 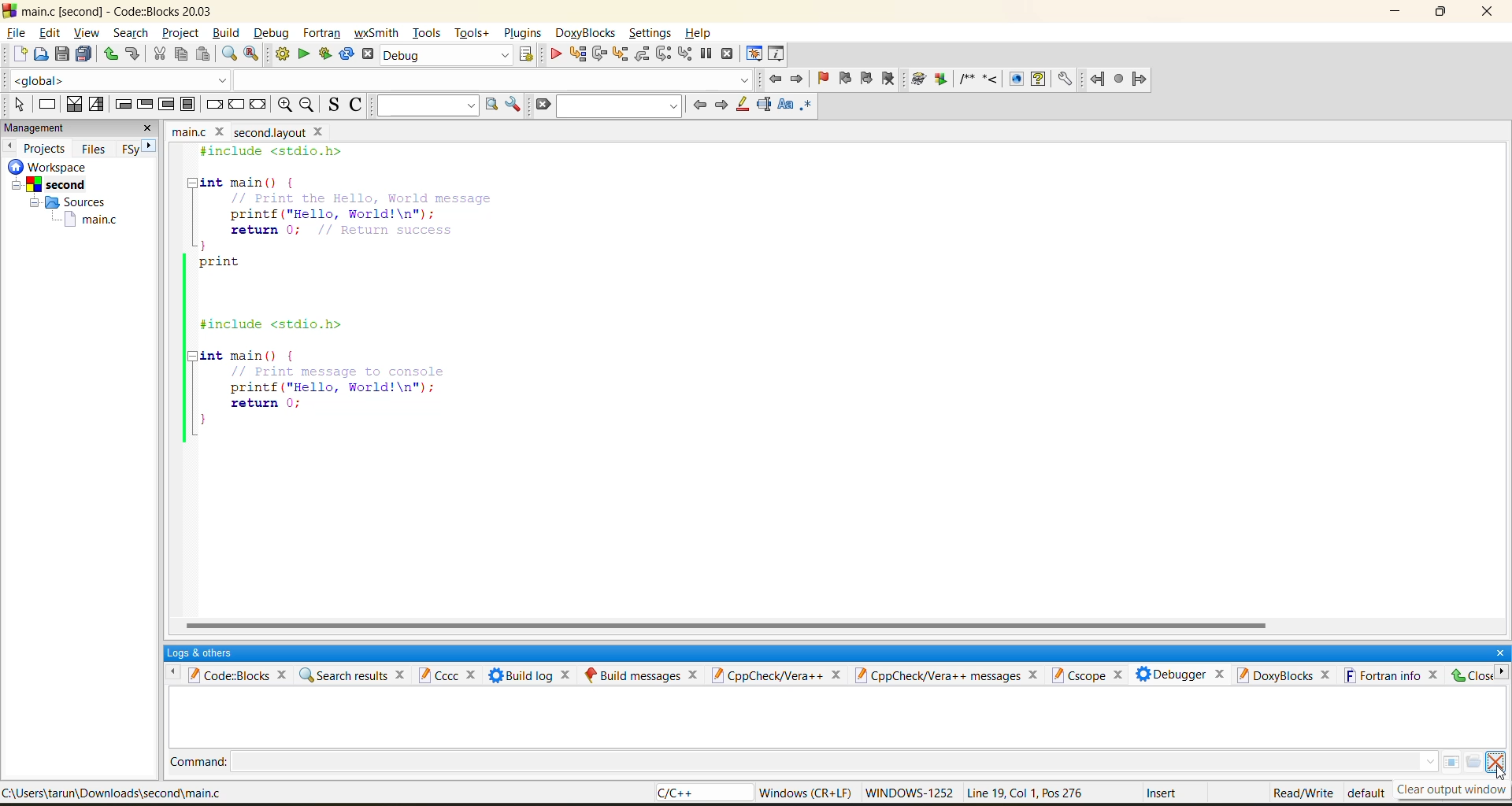 I want to click on next, so click(x=723, y=107).